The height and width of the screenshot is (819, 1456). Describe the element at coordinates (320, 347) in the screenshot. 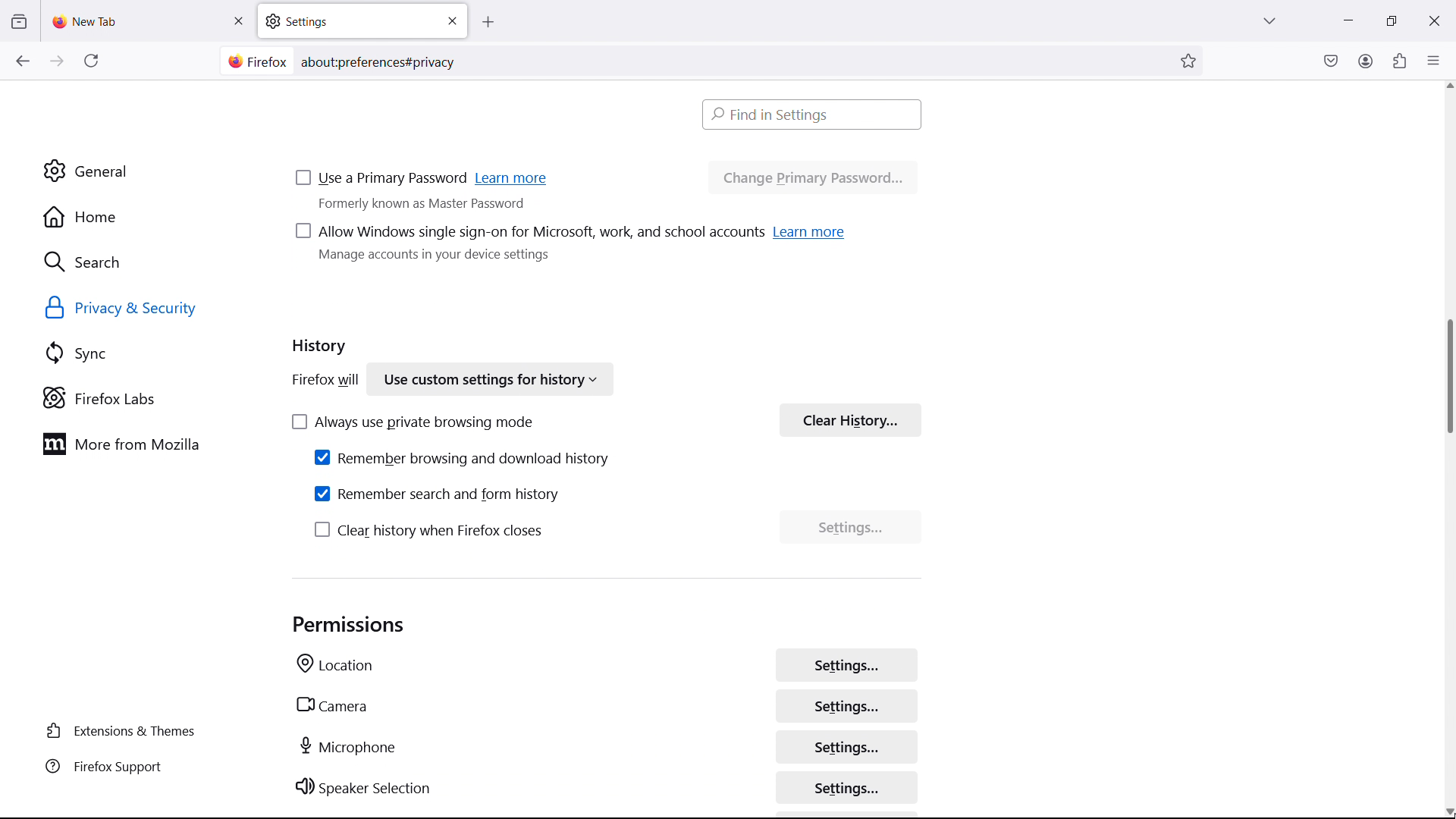

I see `history` at that location.